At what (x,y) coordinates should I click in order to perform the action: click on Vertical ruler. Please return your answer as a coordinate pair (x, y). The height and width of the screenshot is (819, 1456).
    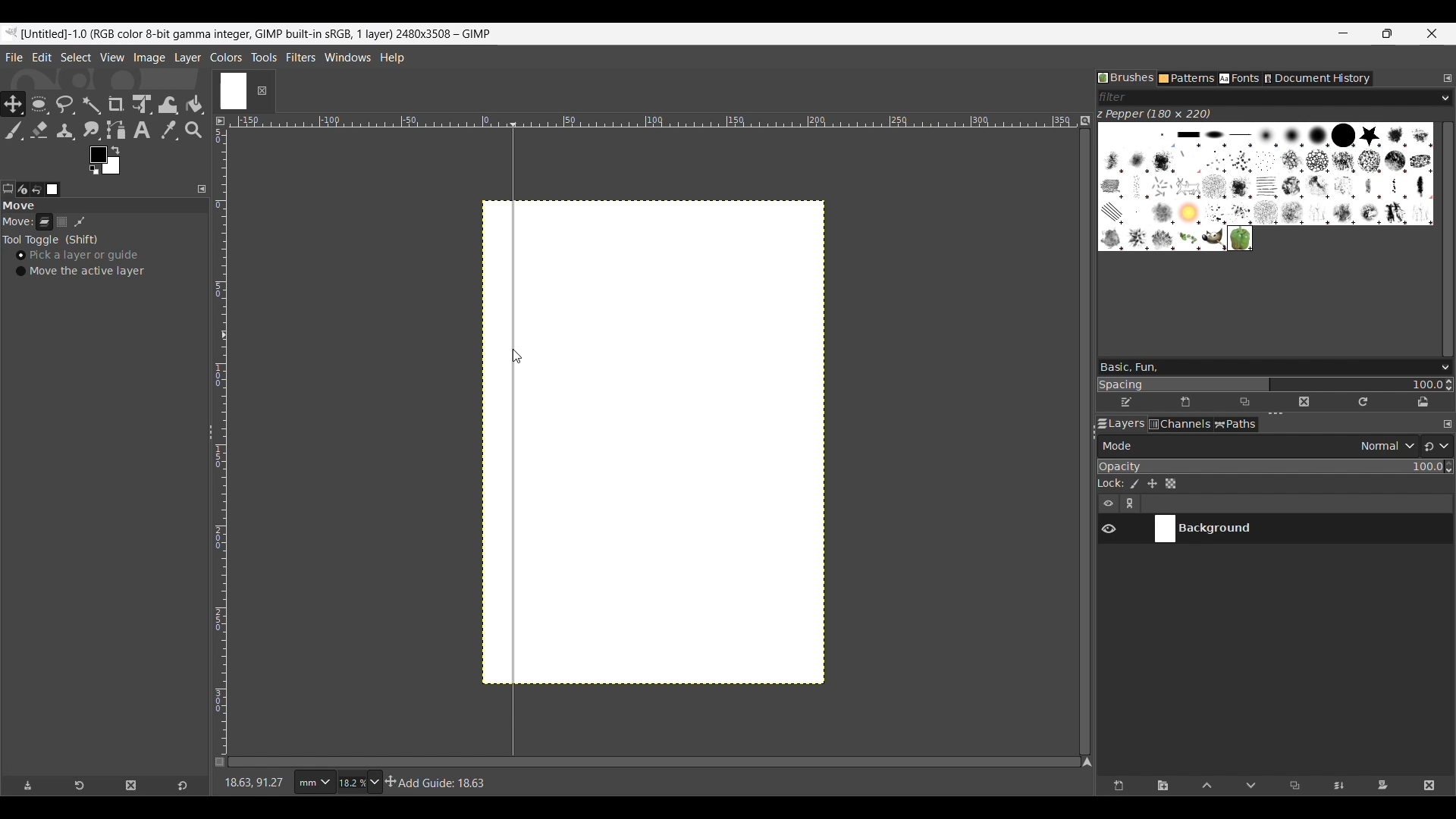
    Looking at the image, I should click on (224, 438).